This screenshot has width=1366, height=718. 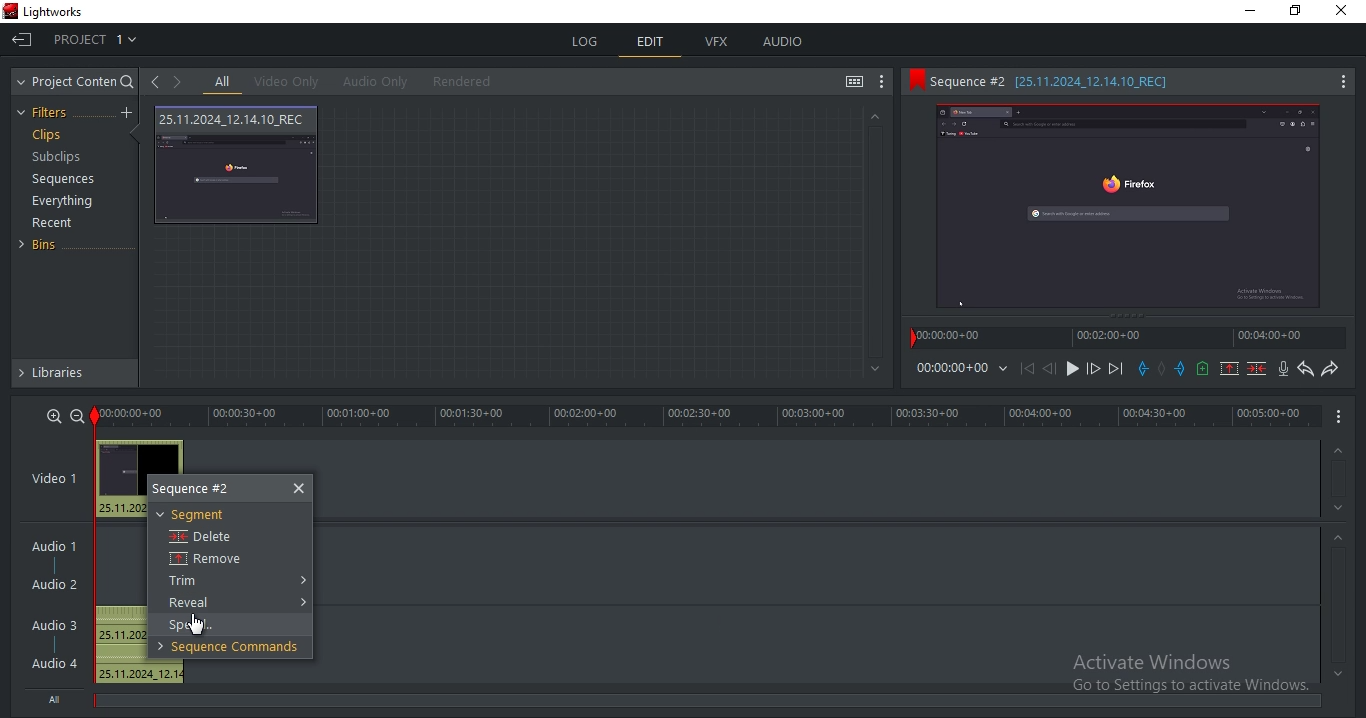 What do you see at coordinates (1257, 368) in the screenshot?
I see `delete the marked section` at bounding box center [1257, 368].